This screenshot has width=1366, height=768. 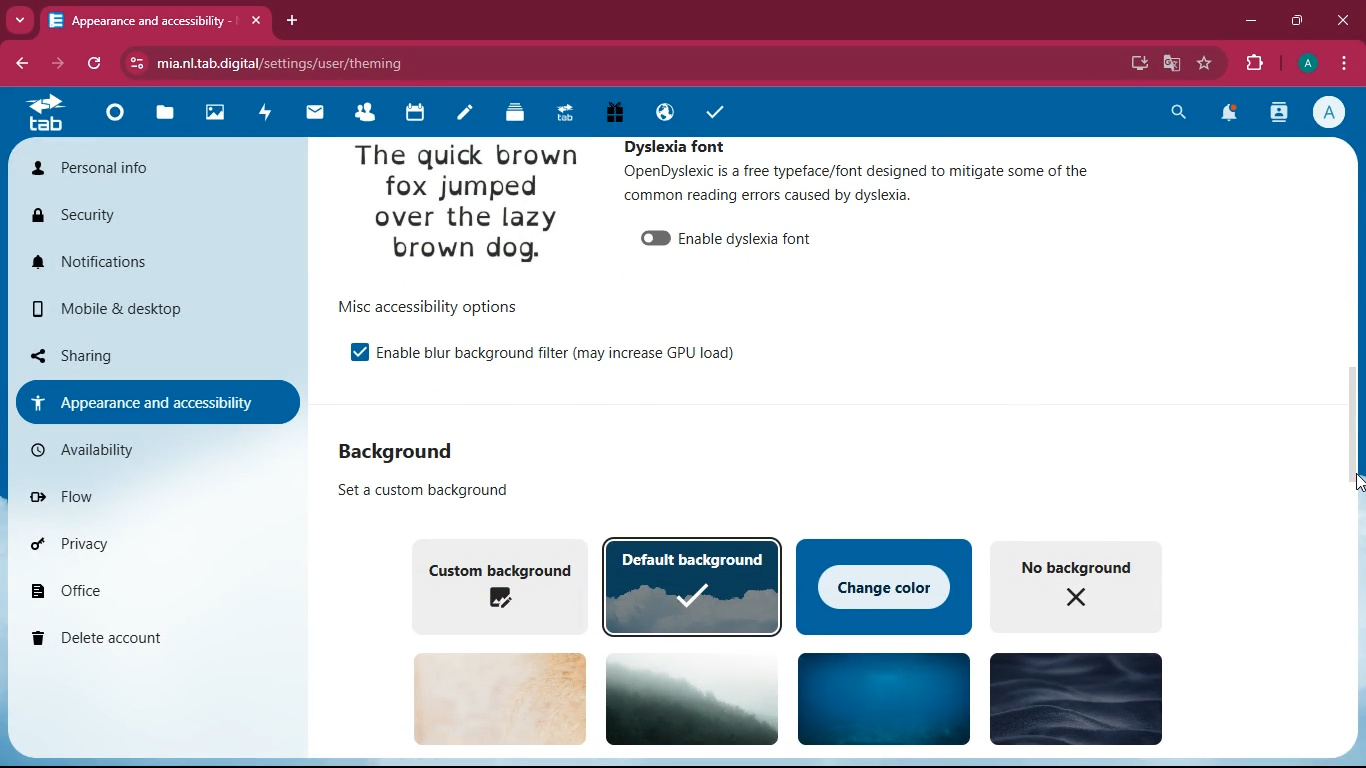 I want to click on maximize, so click(x=1299, y=21).